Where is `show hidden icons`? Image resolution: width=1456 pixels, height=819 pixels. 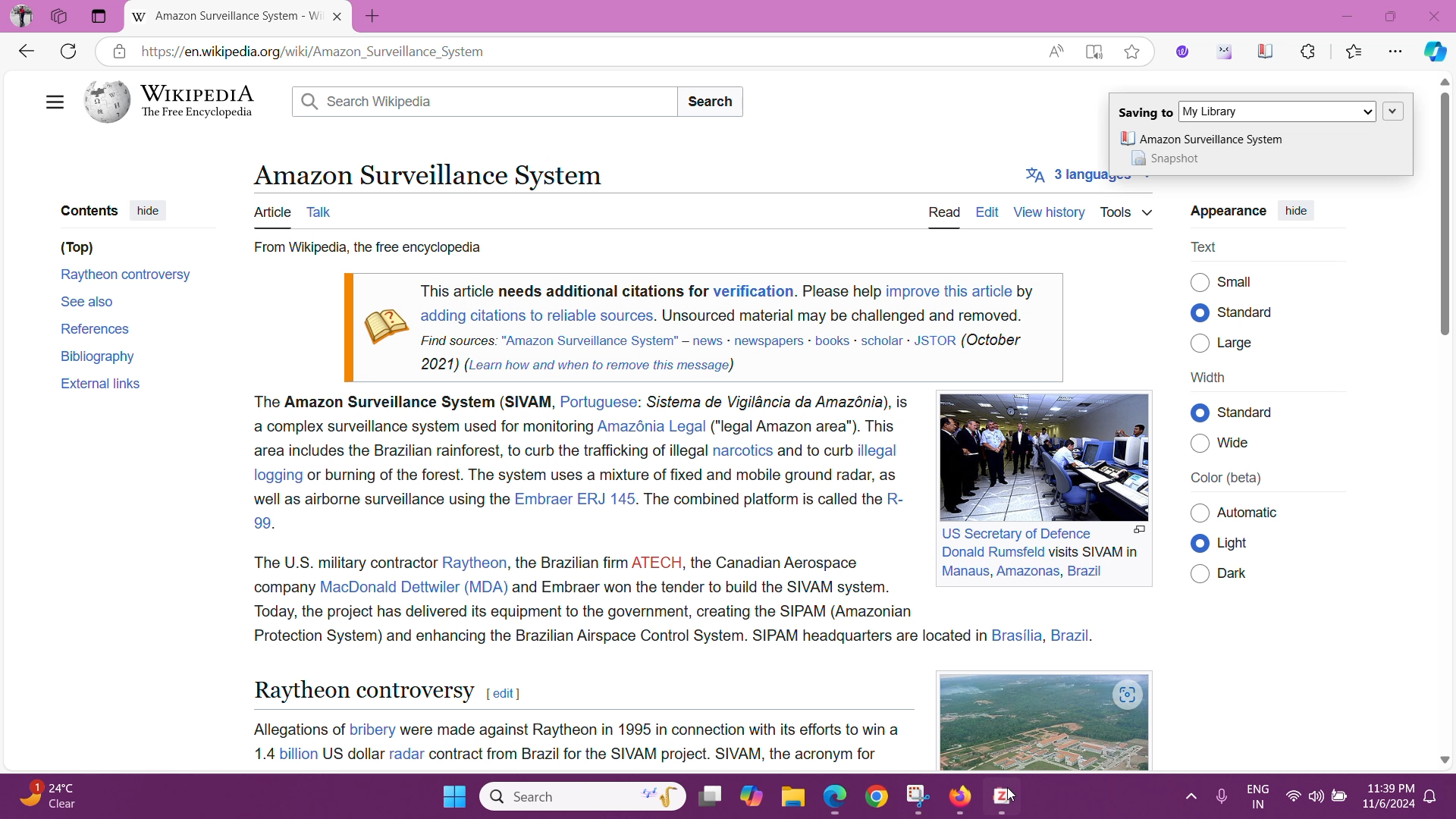
show hidden icons is located at coordinates (1188, 796).